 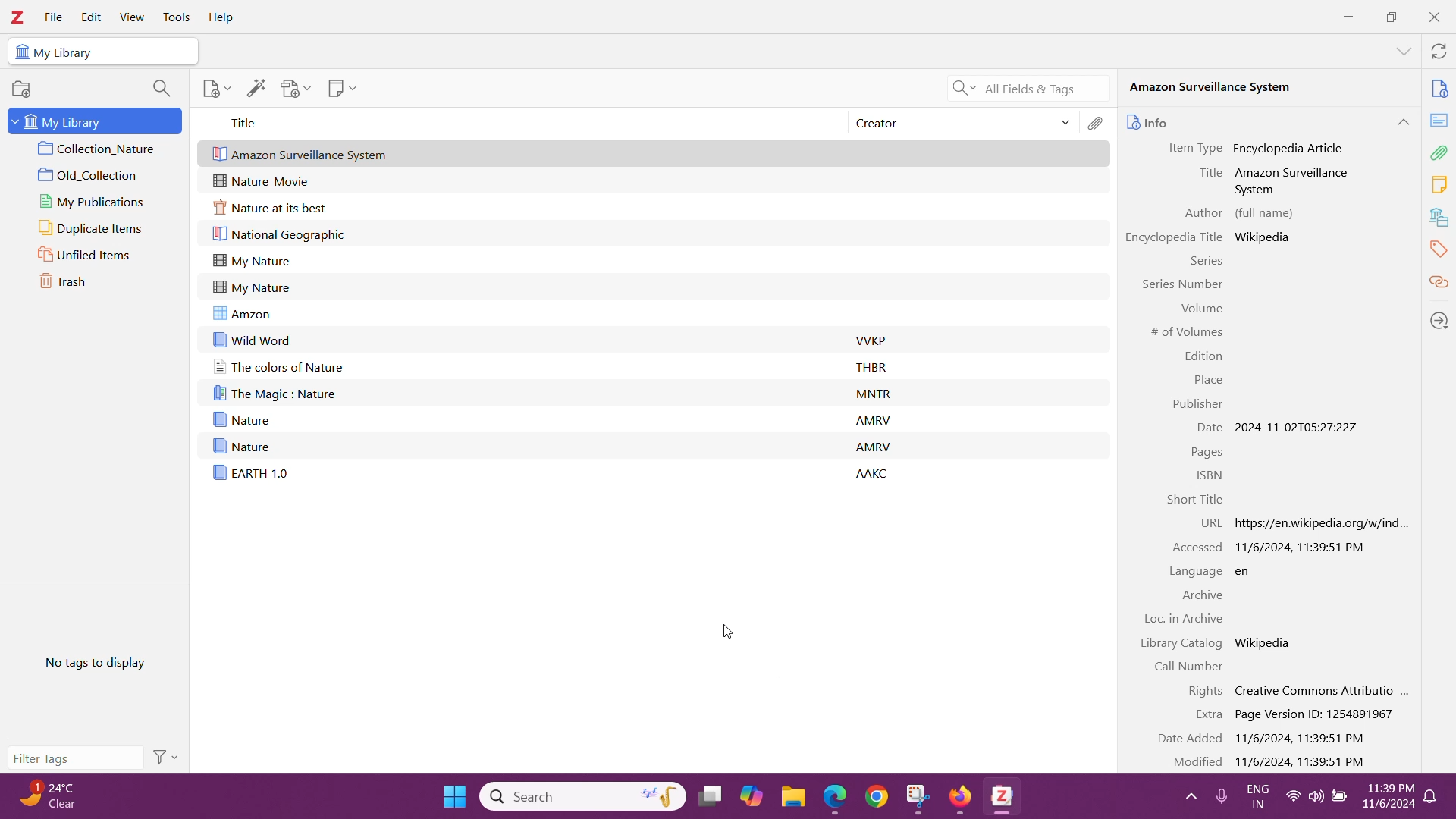 What do you see at coordinates (90, 17) in the screenshot?
I see `Edit` at bounding box center [90, 17].